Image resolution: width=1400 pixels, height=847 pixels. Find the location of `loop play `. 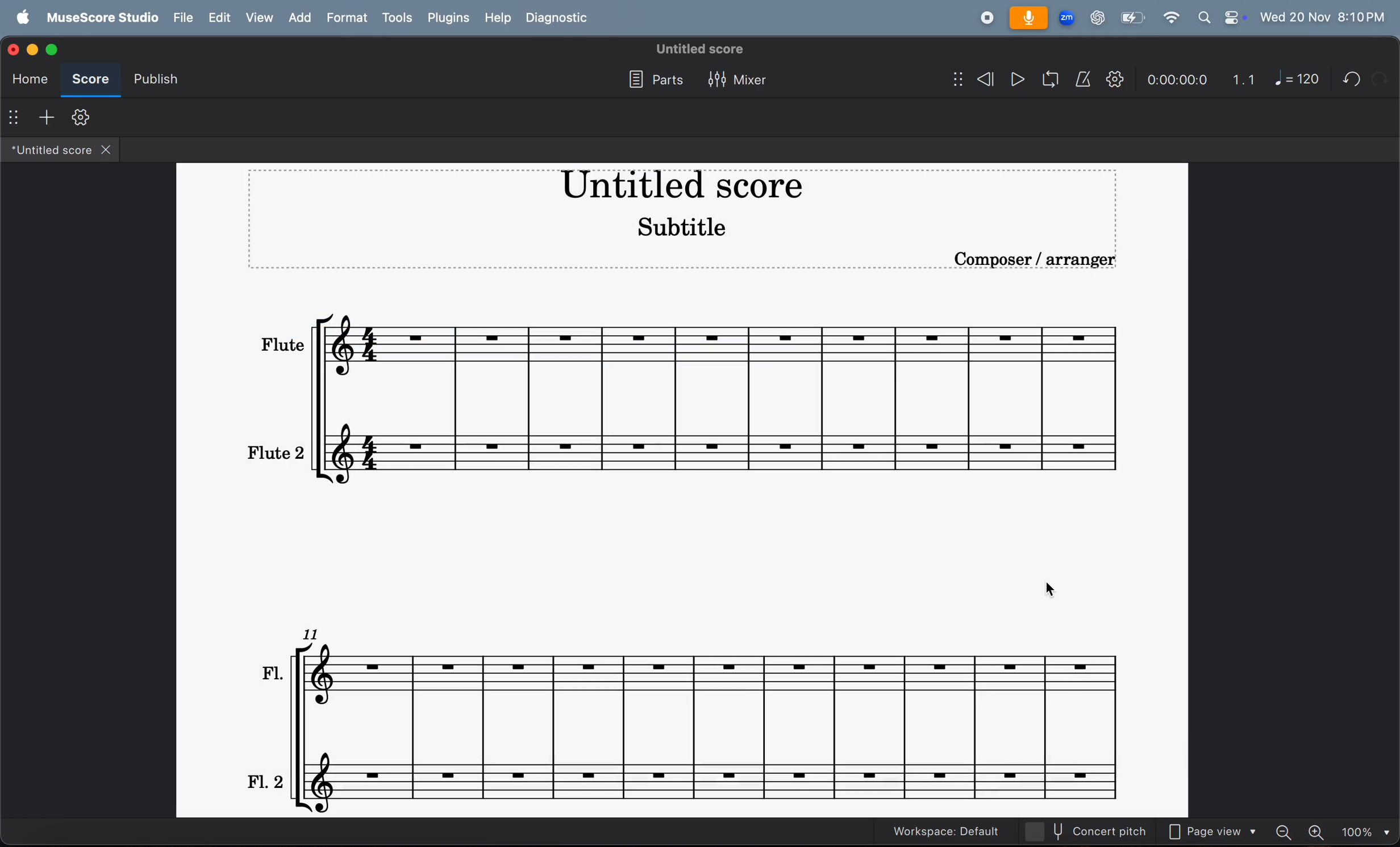

loop play  is located at coordinates (1047, 77).